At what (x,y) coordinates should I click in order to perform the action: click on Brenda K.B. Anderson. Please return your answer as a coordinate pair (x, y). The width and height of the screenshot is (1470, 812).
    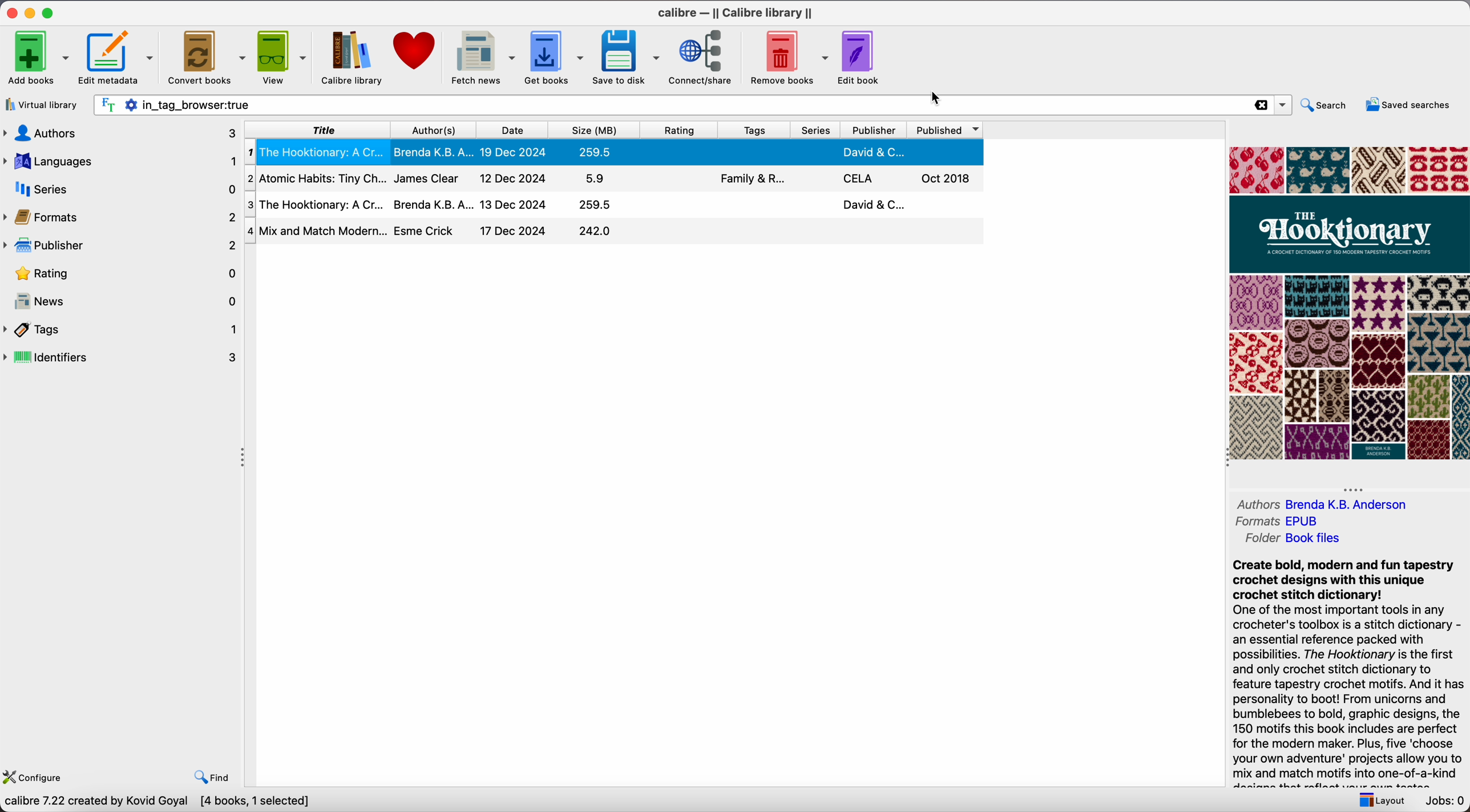
    Looking at the image, I should click on (1346, 505).